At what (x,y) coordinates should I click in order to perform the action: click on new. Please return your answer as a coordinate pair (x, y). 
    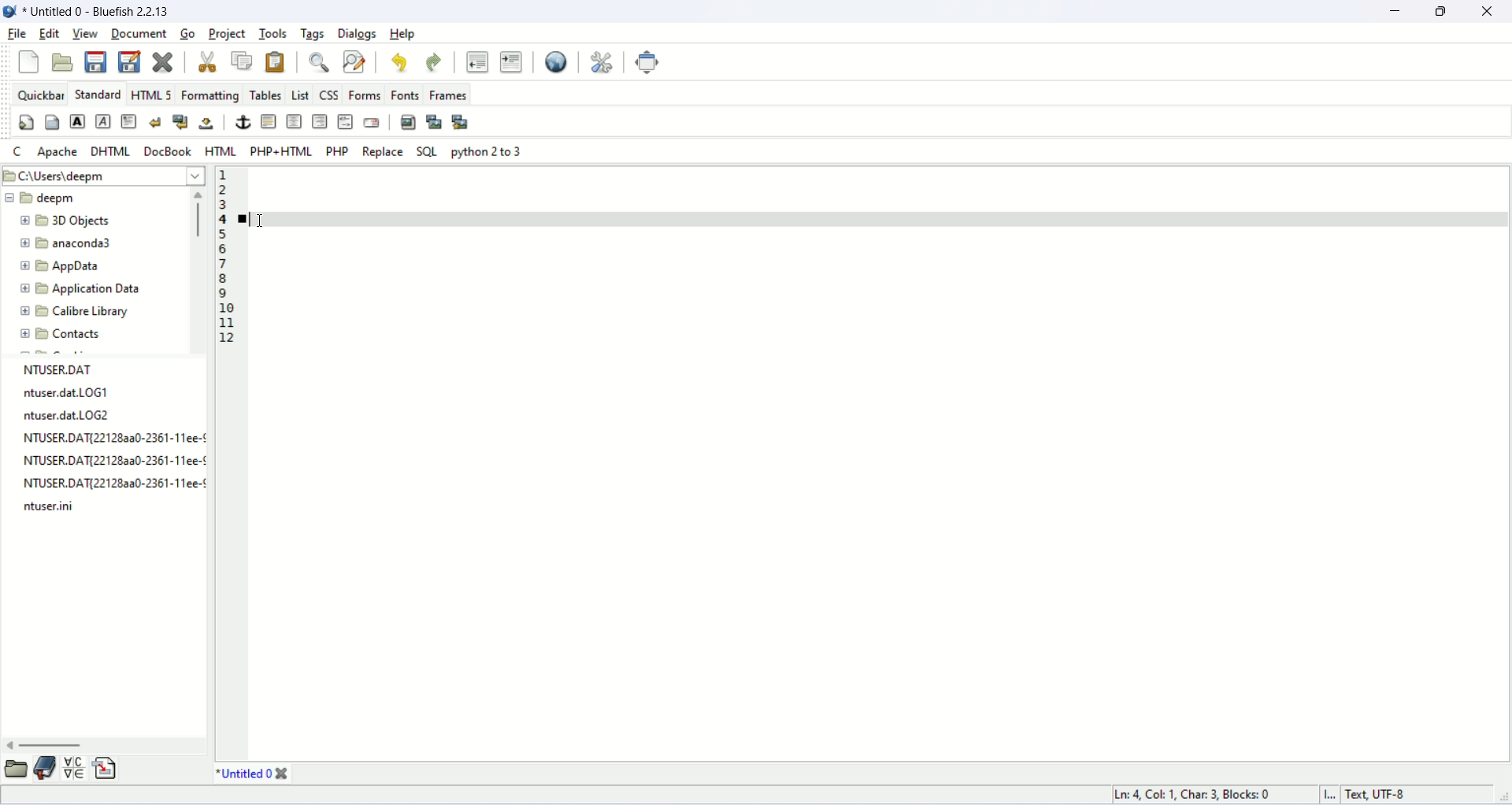
    Looking at the image, I should click on (28, 62).